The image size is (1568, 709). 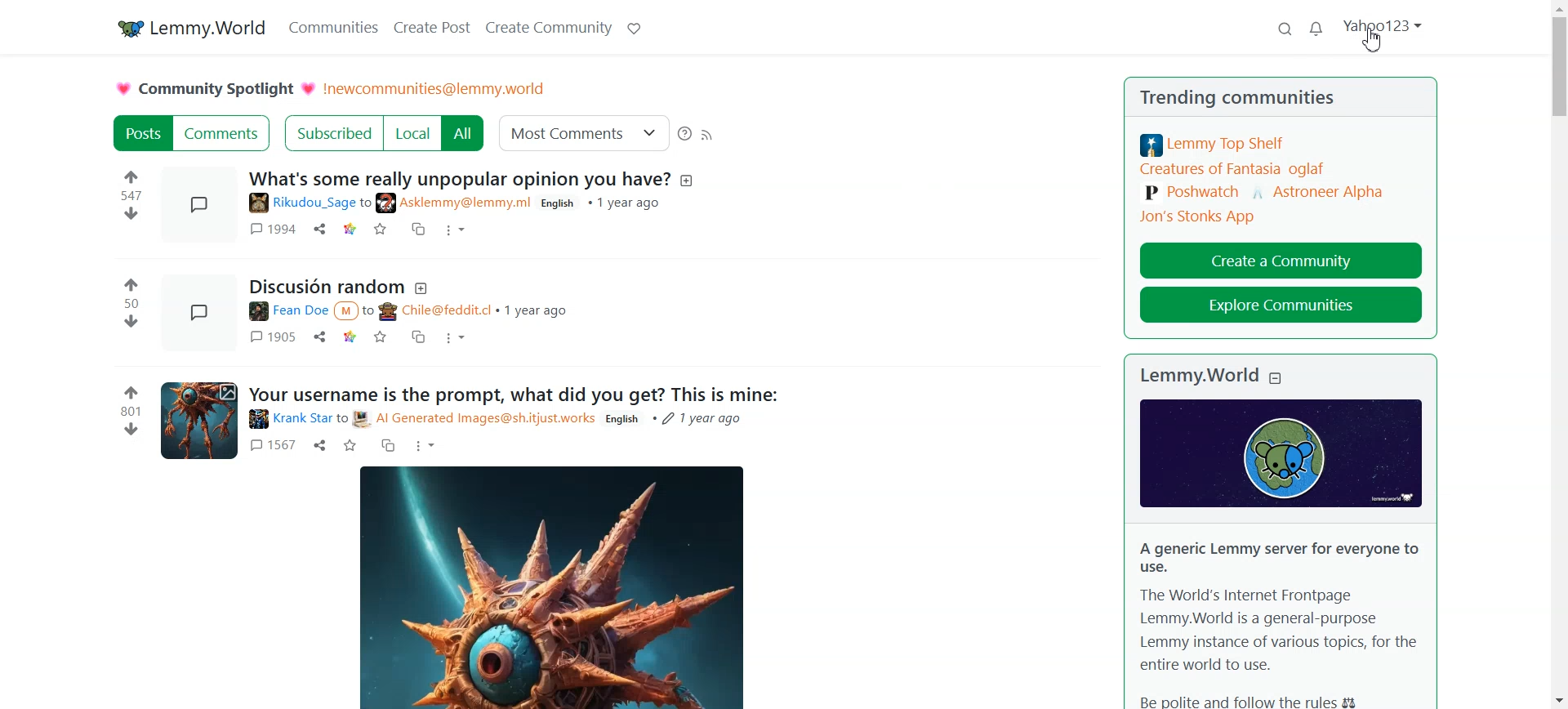 I want to click on Your username is the prompt, what did you get? This is mine:, so click(x=514, y=394).